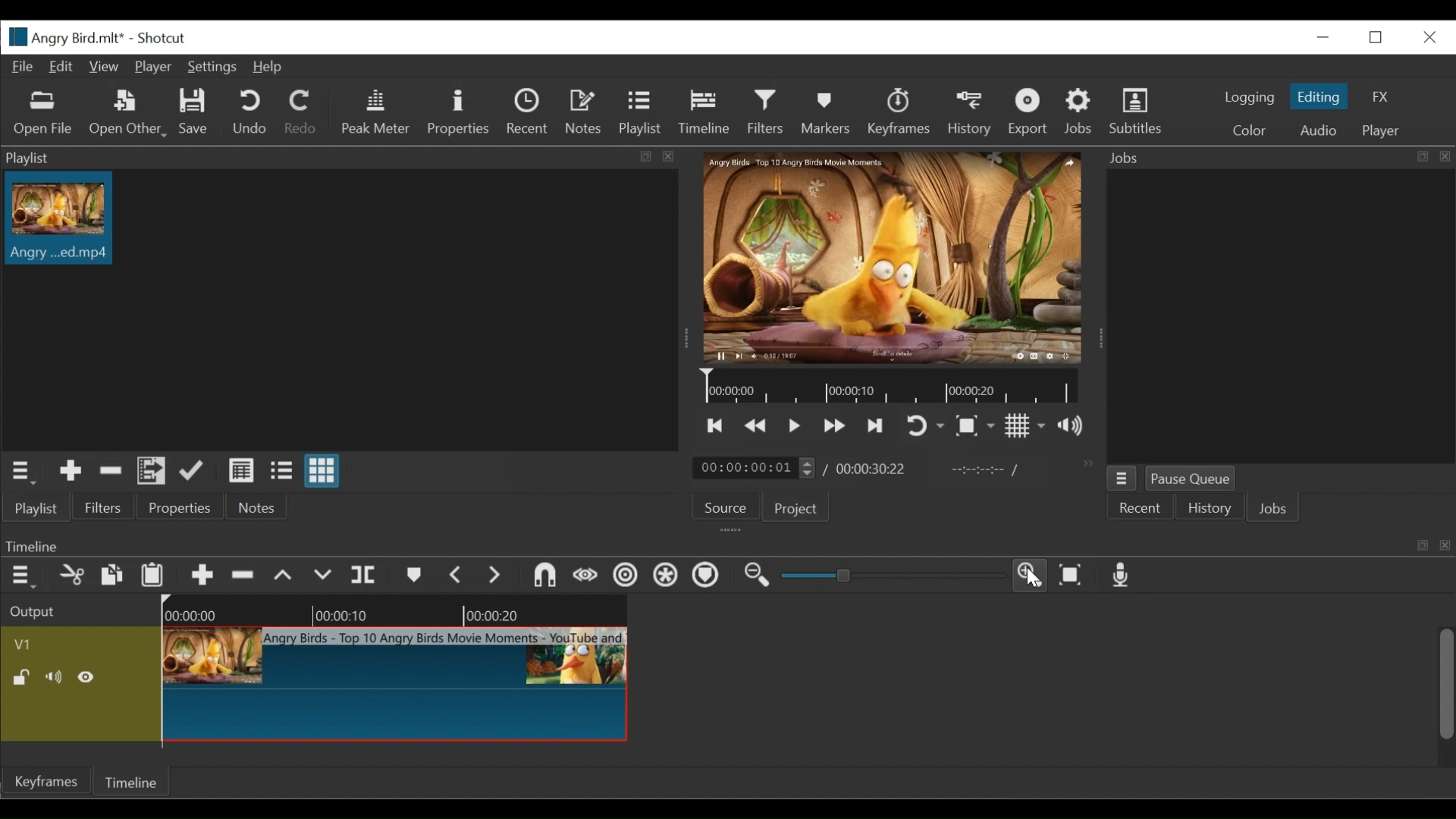  I want to click on Slider, so click(890, 575).